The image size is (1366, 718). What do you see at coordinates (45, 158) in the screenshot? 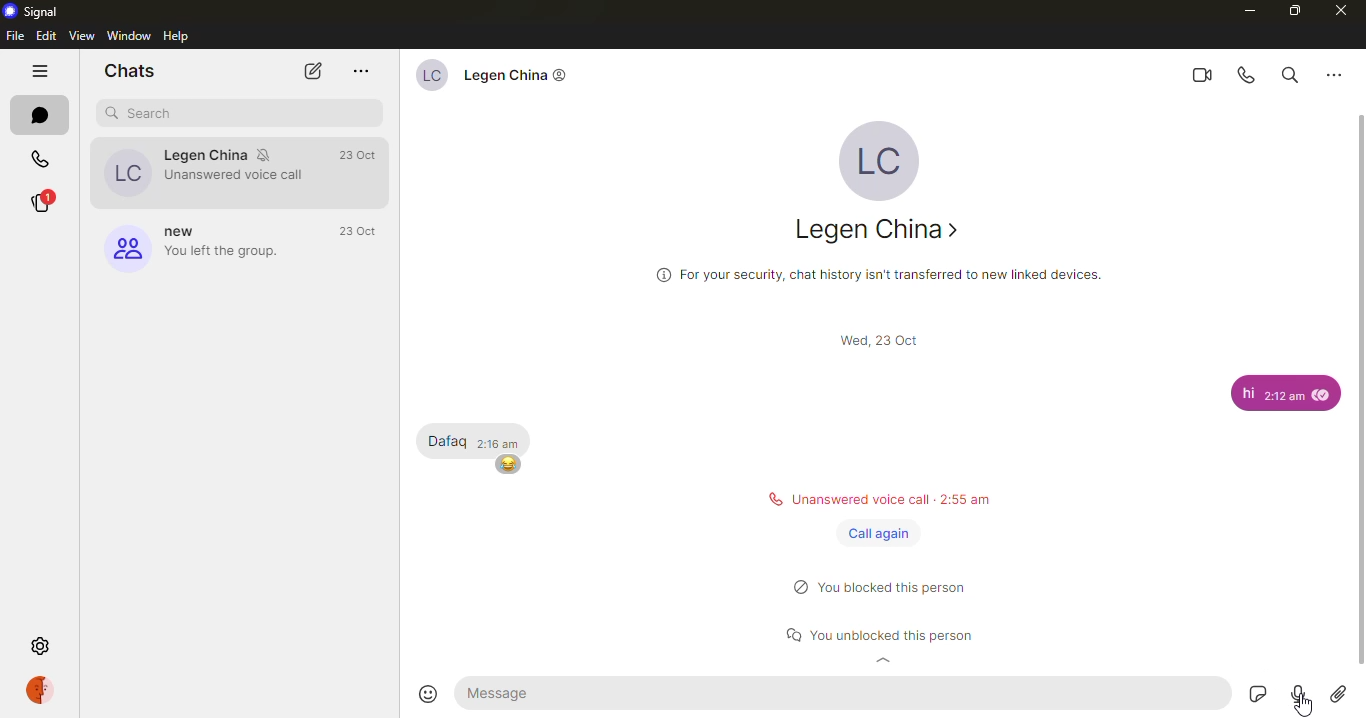
I see `calls` at bounding box center [45, 158].